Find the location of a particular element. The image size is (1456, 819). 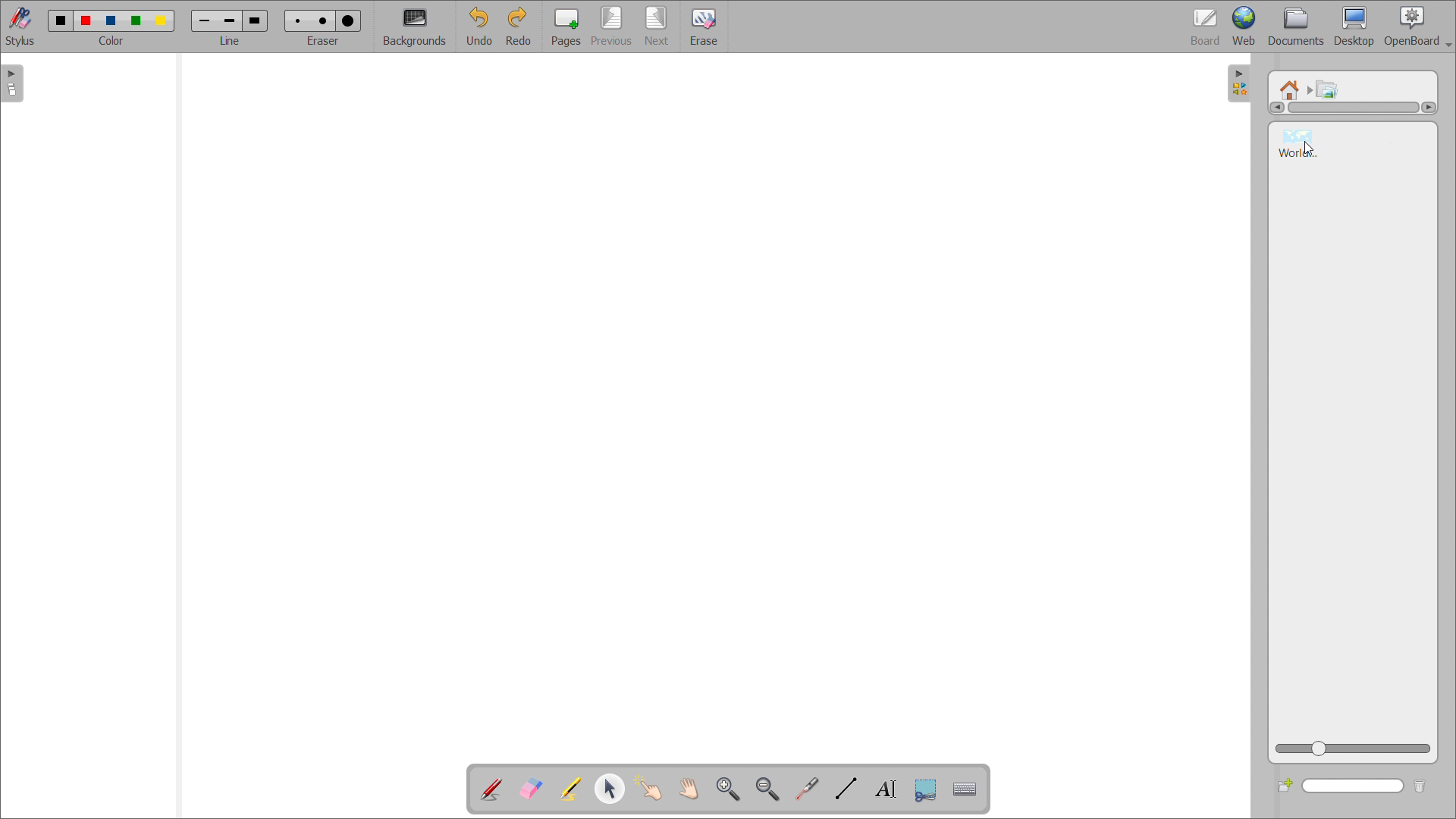

zoom out is located at coordinates (767, 789).